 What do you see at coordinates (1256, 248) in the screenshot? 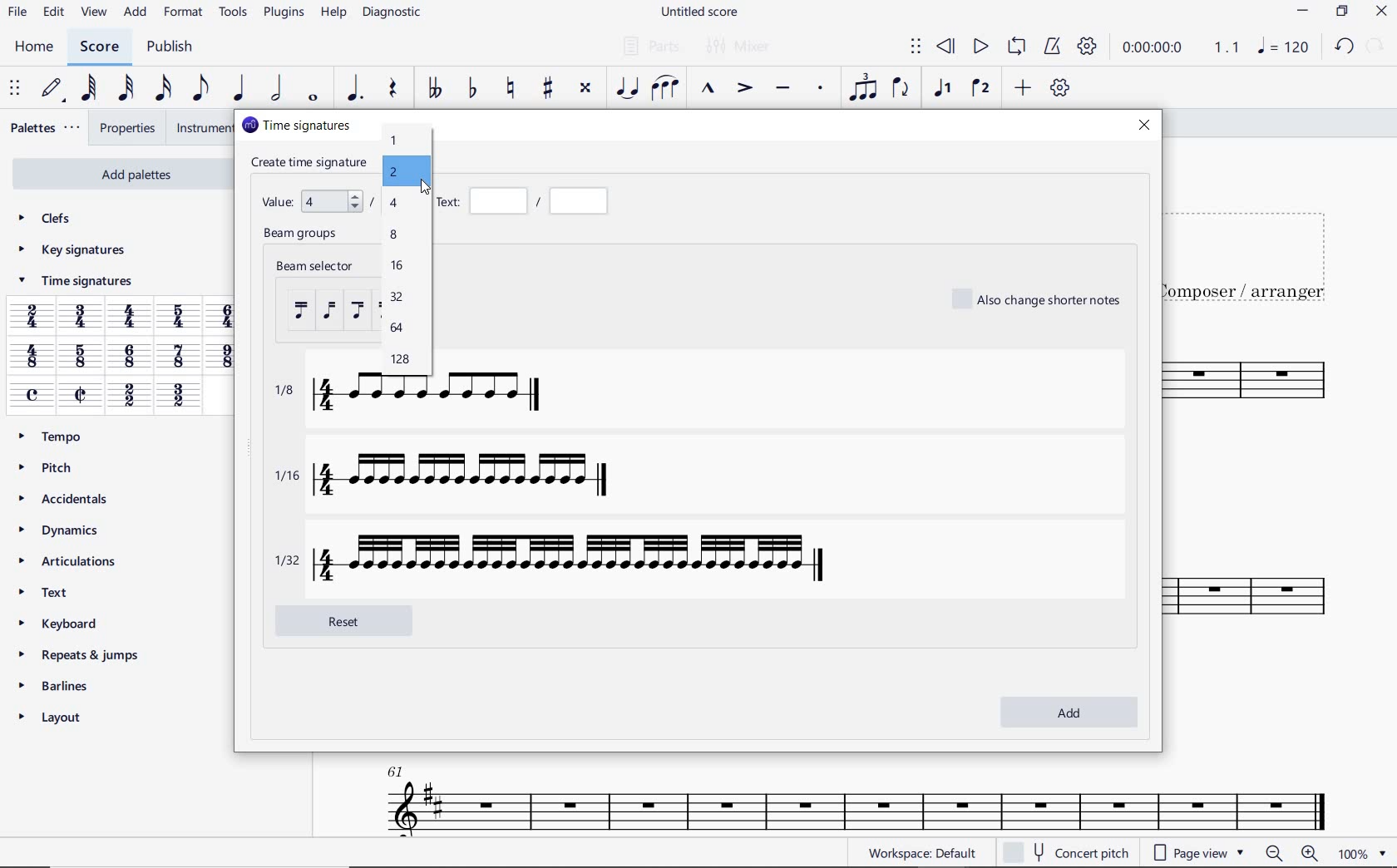
I see `TITLE` at bounding box center [1256, 248].